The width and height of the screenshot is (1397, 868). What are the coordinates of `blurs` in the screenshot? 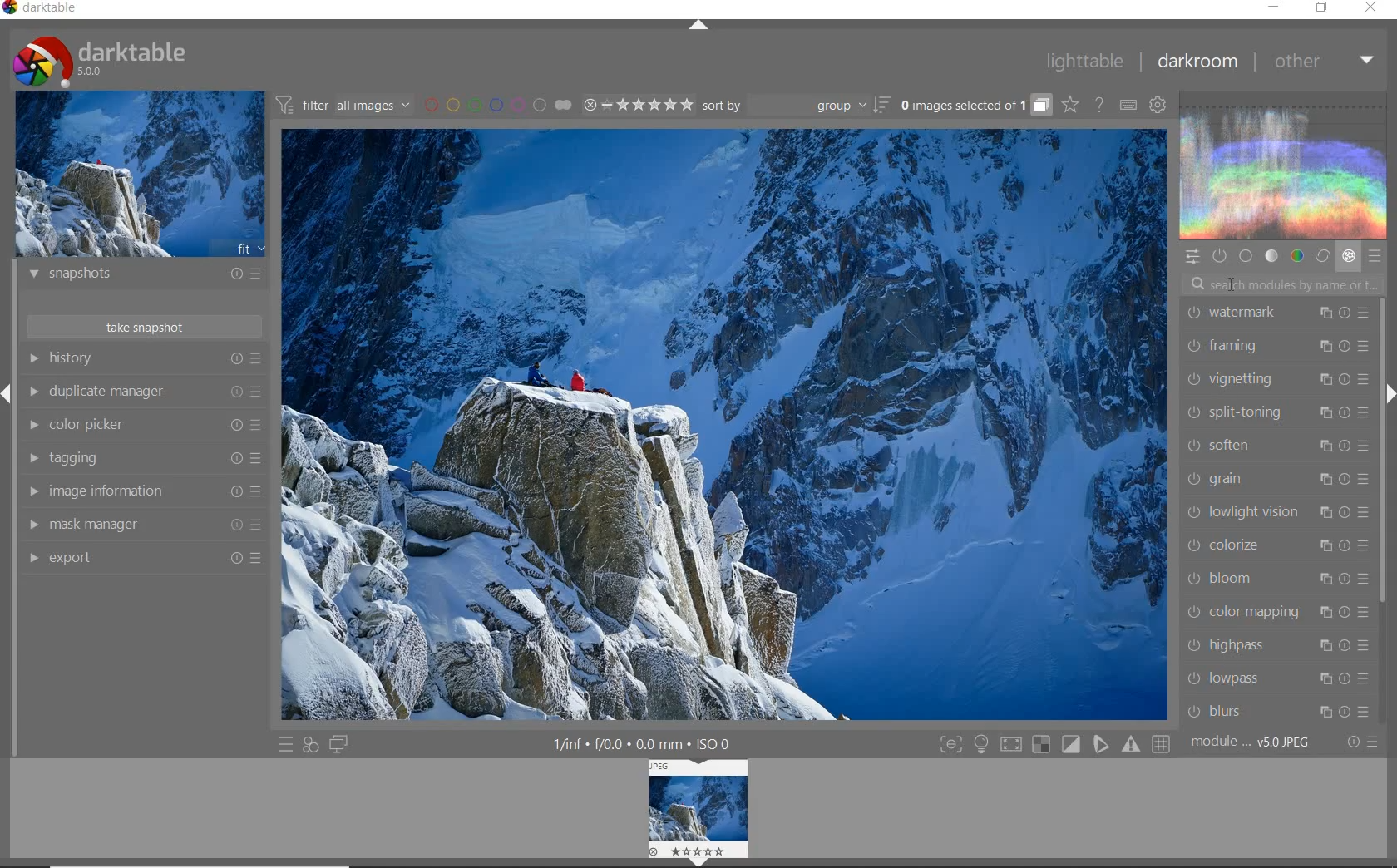 It's located at (1281, 712).